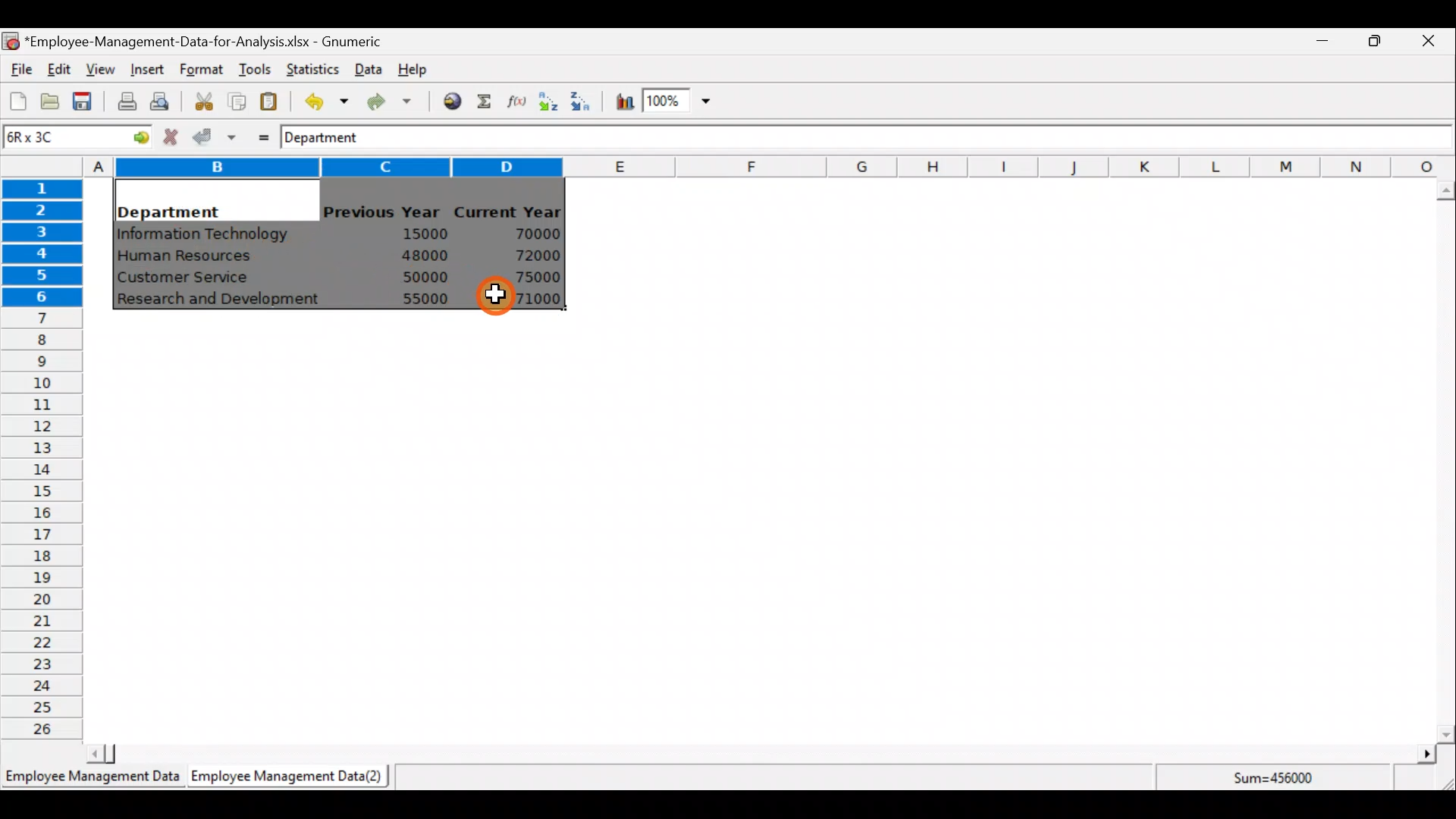  I want to click on Help, so click(422, 68).